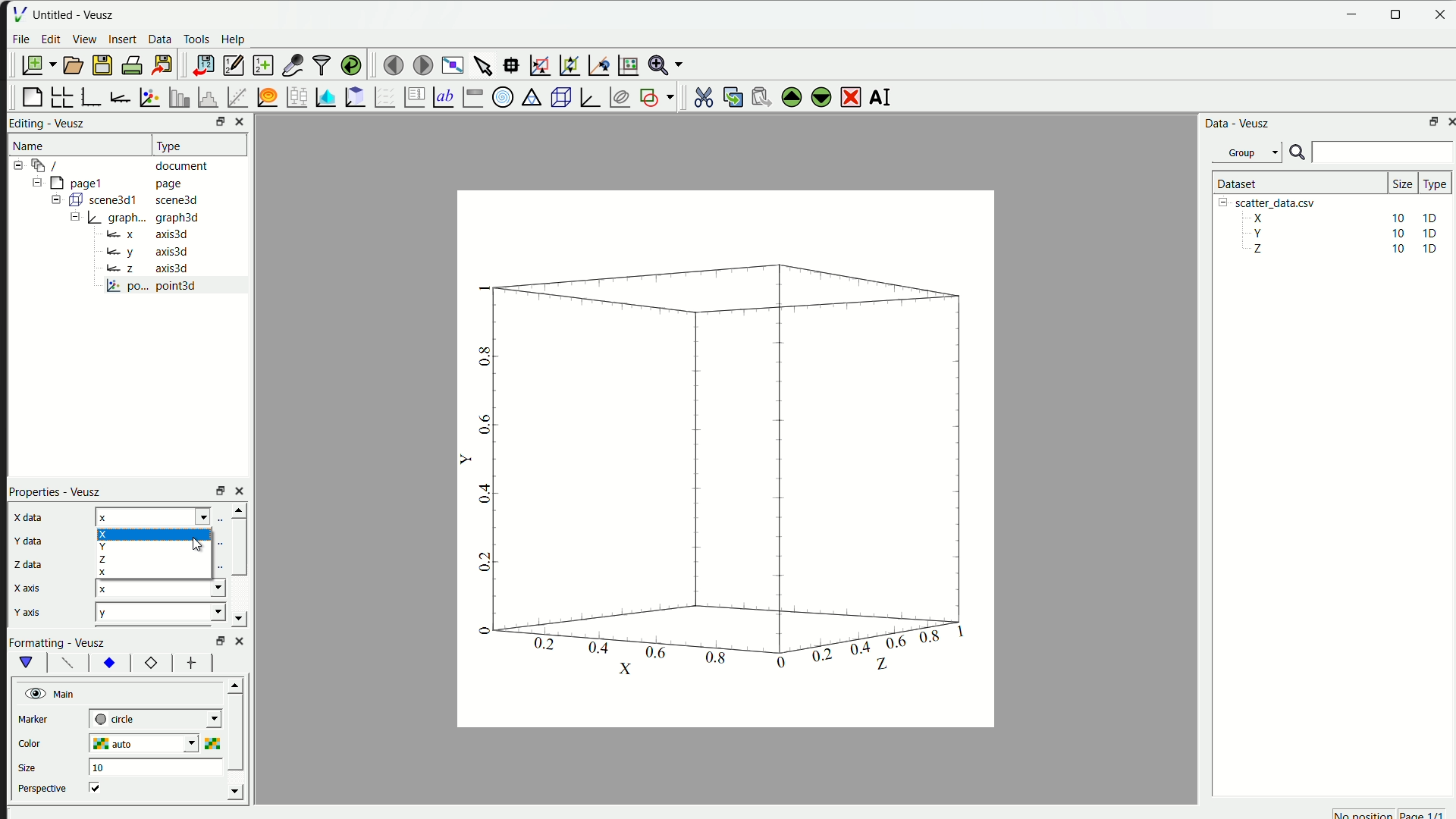 The height and width of the screenshot is (819, 1456). Describe the element at coordinates (848, 96) in the screenshot. I see `remove the selected widget` at that location.